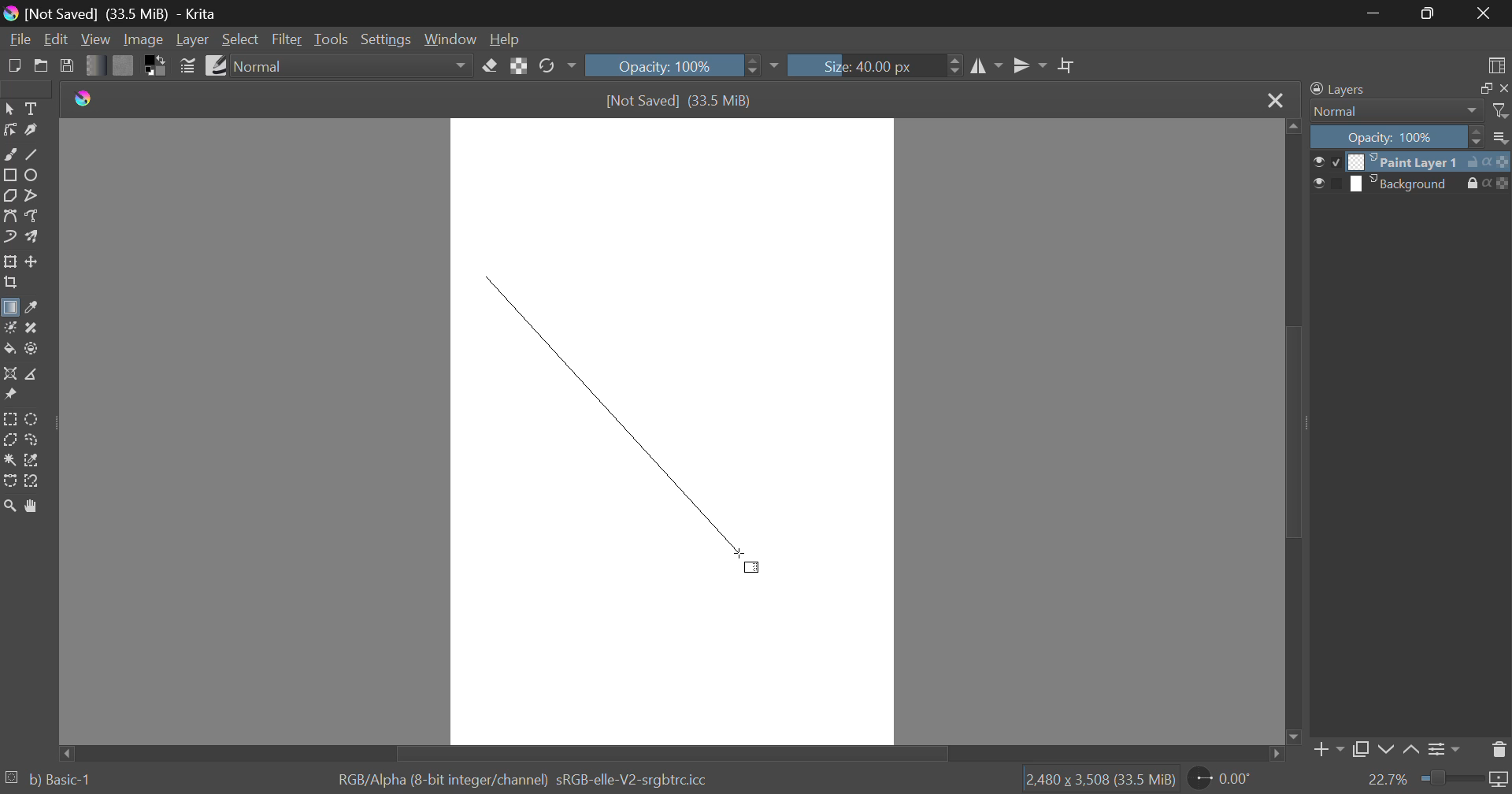 This screenshot has width=1512, height=794. Describe the element at coordinates (9, 441) in the screenshot. I see `Polygon Selection` at that location.